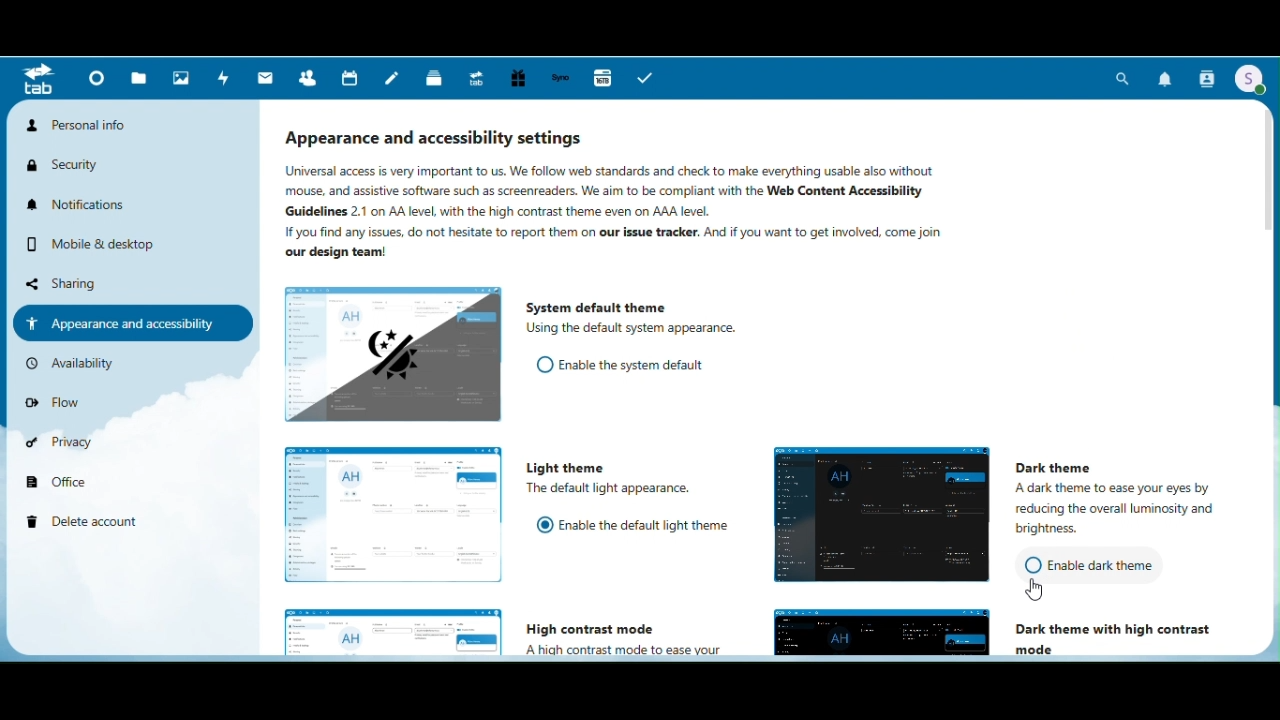 This screenshot has width=1280, height=720. What do you see at coordinates (629, 197) in the screenshot?
I see `Appearance and accessibility settings ` at bounding box center [629, 197].